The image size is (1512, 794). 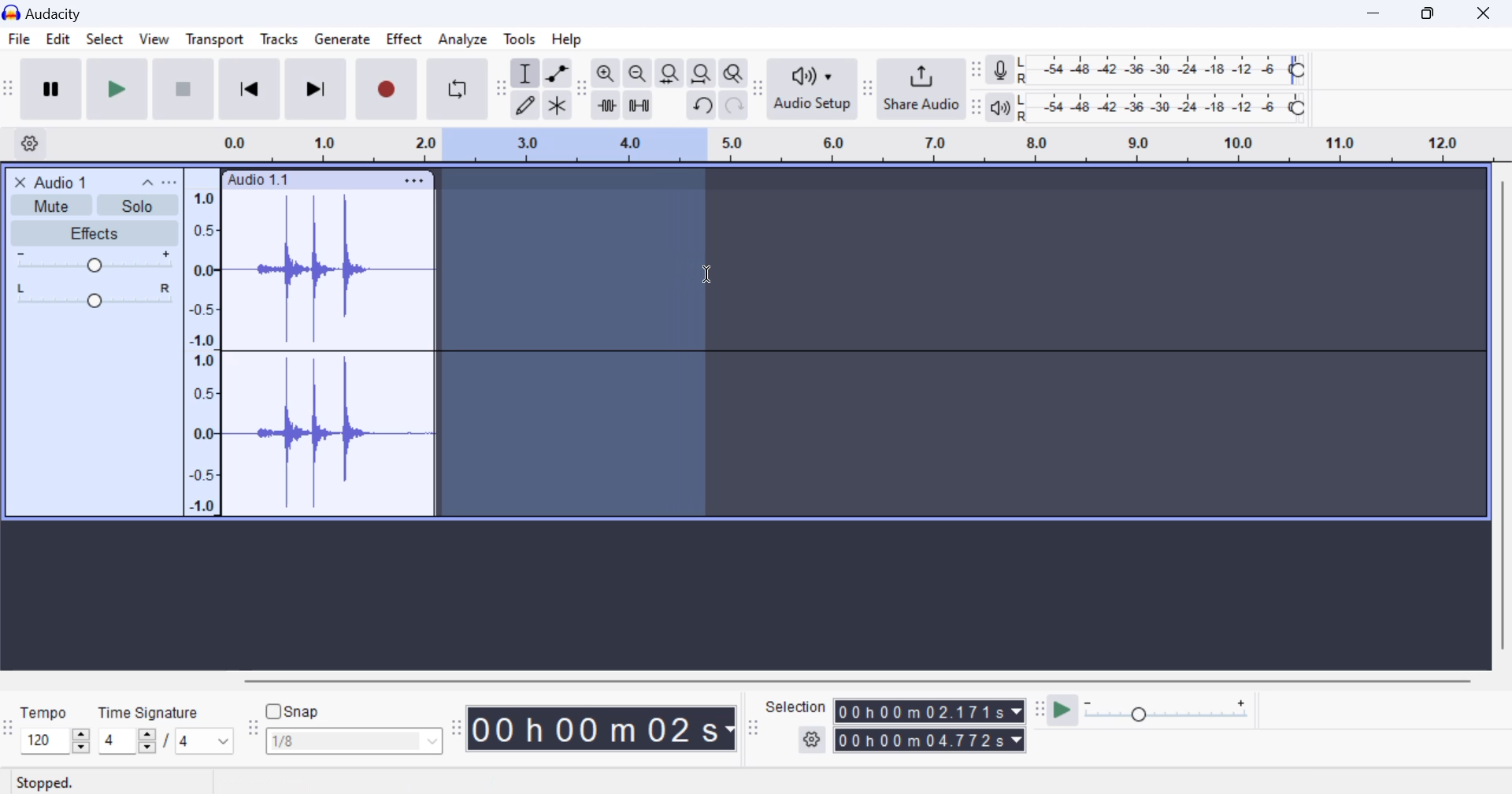 What do you see at coordinates (607, 105) in the screenshot?
I see `trim audio outside select` at bounding box center [607, 105].